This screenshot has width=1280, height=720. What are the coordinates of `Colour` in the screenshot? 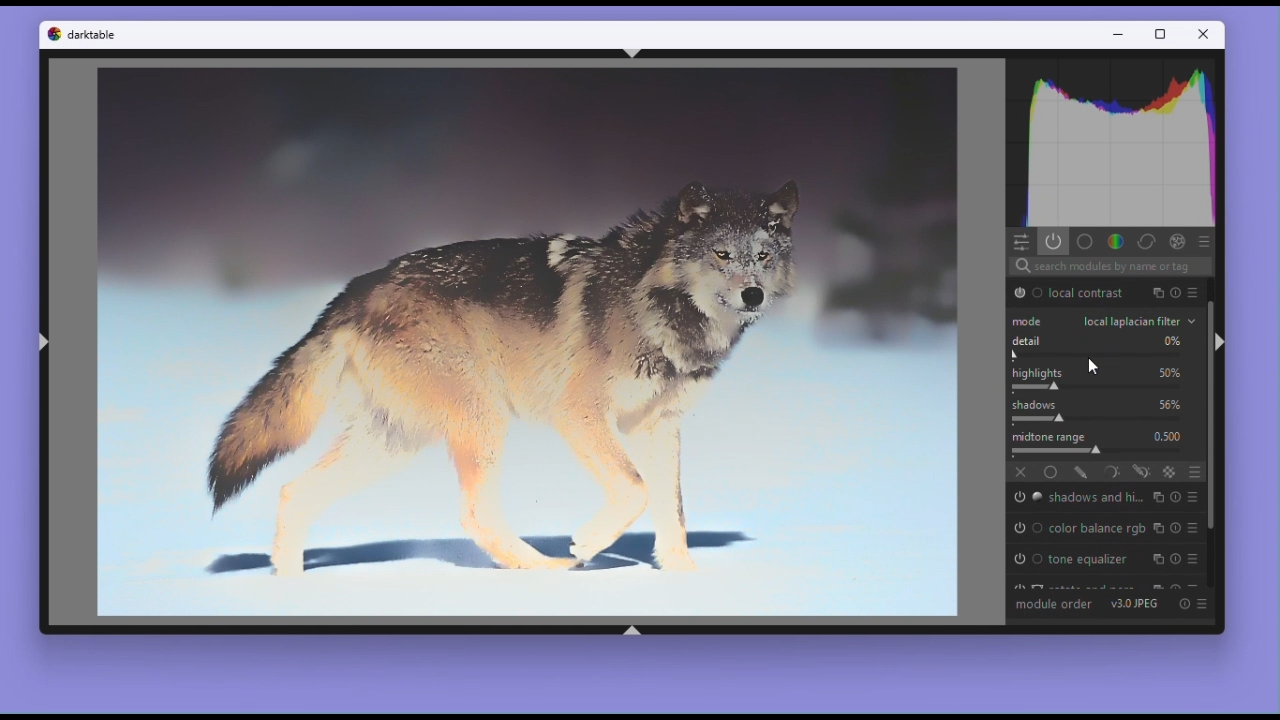 It's located at (1114, 241).